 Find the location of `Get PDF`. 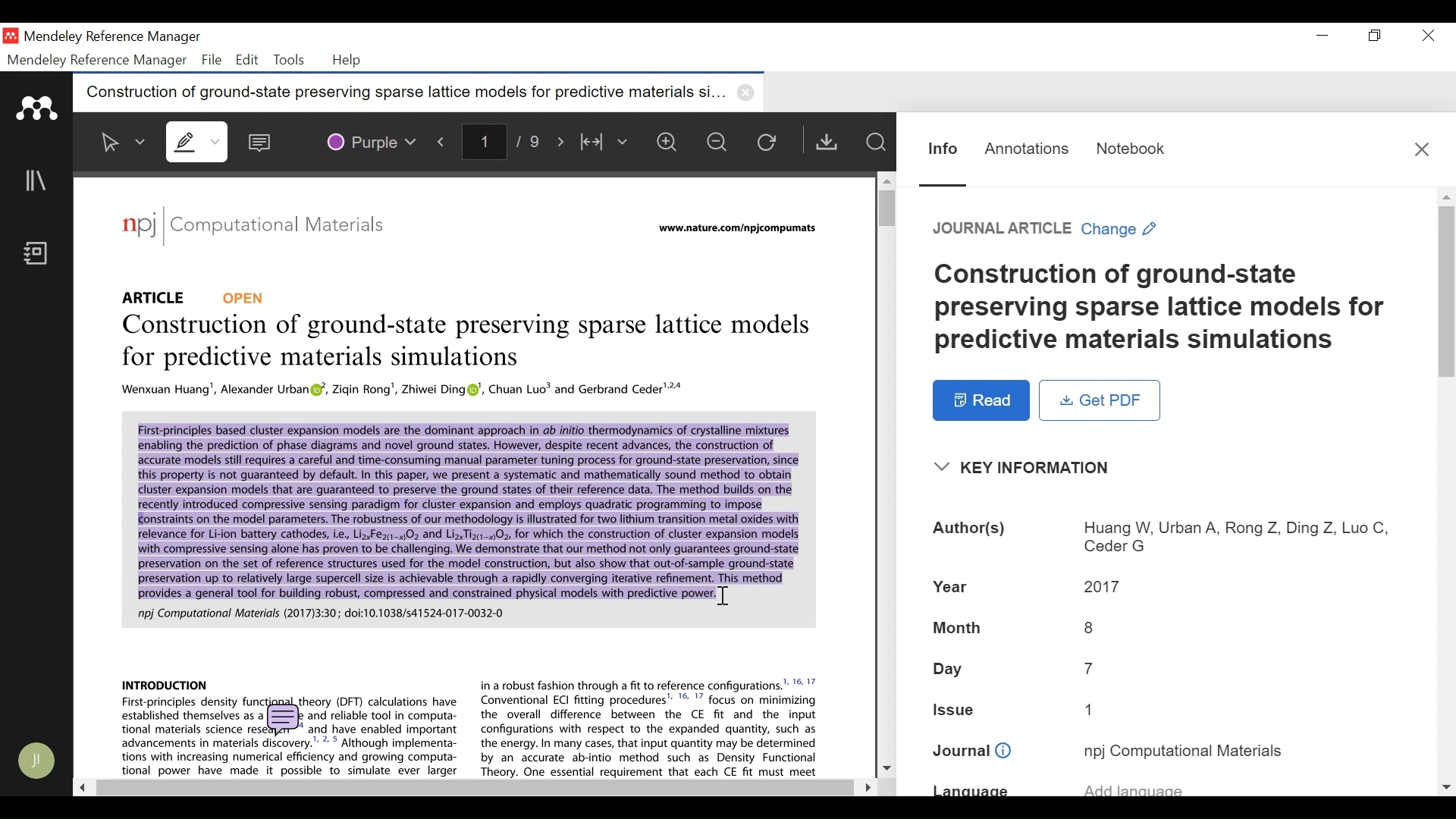

Get PDF is located at coordinates (1100, 400).